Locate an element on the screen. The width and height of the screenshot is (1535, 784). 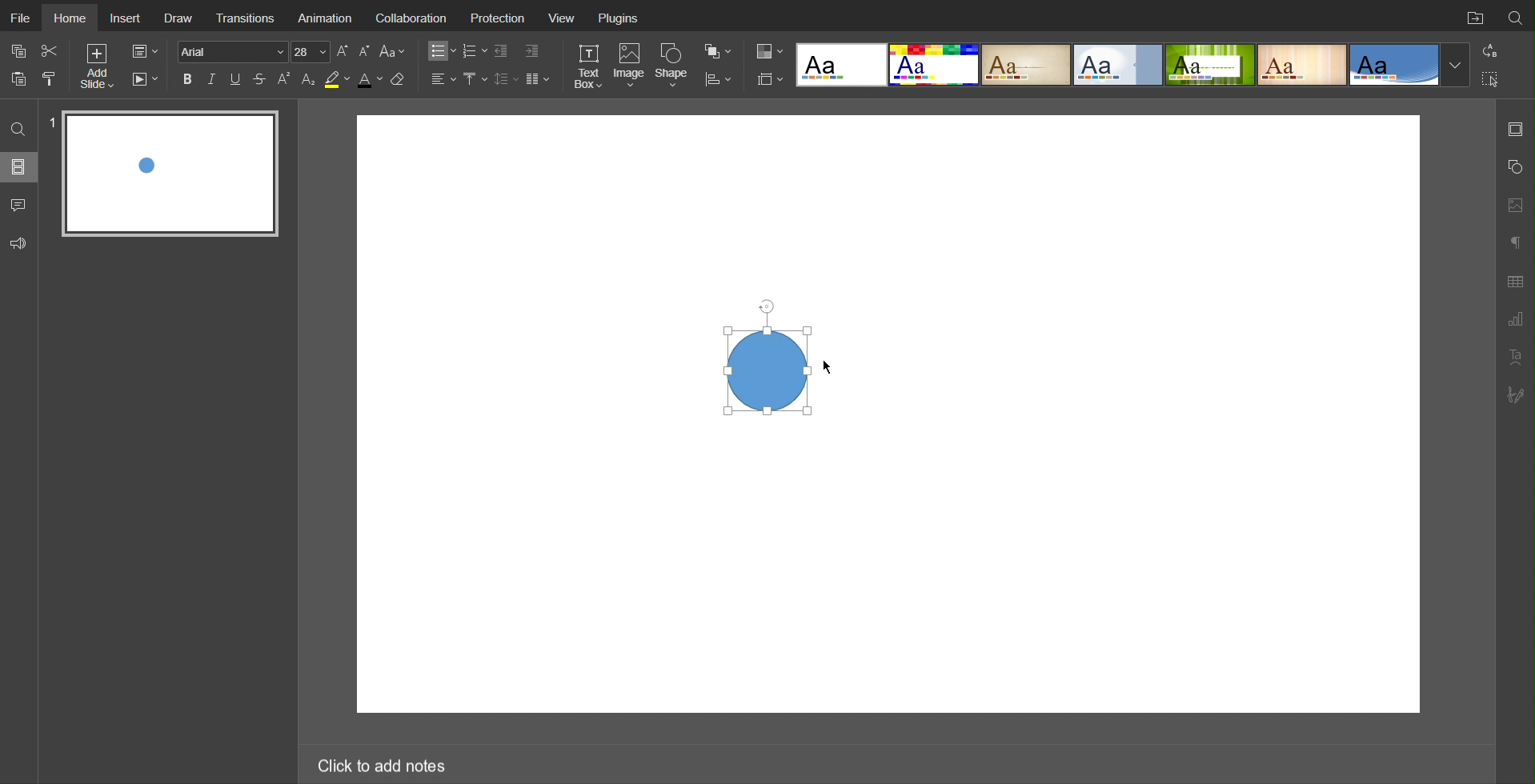
Transitions is located at coordinates (249, 18).